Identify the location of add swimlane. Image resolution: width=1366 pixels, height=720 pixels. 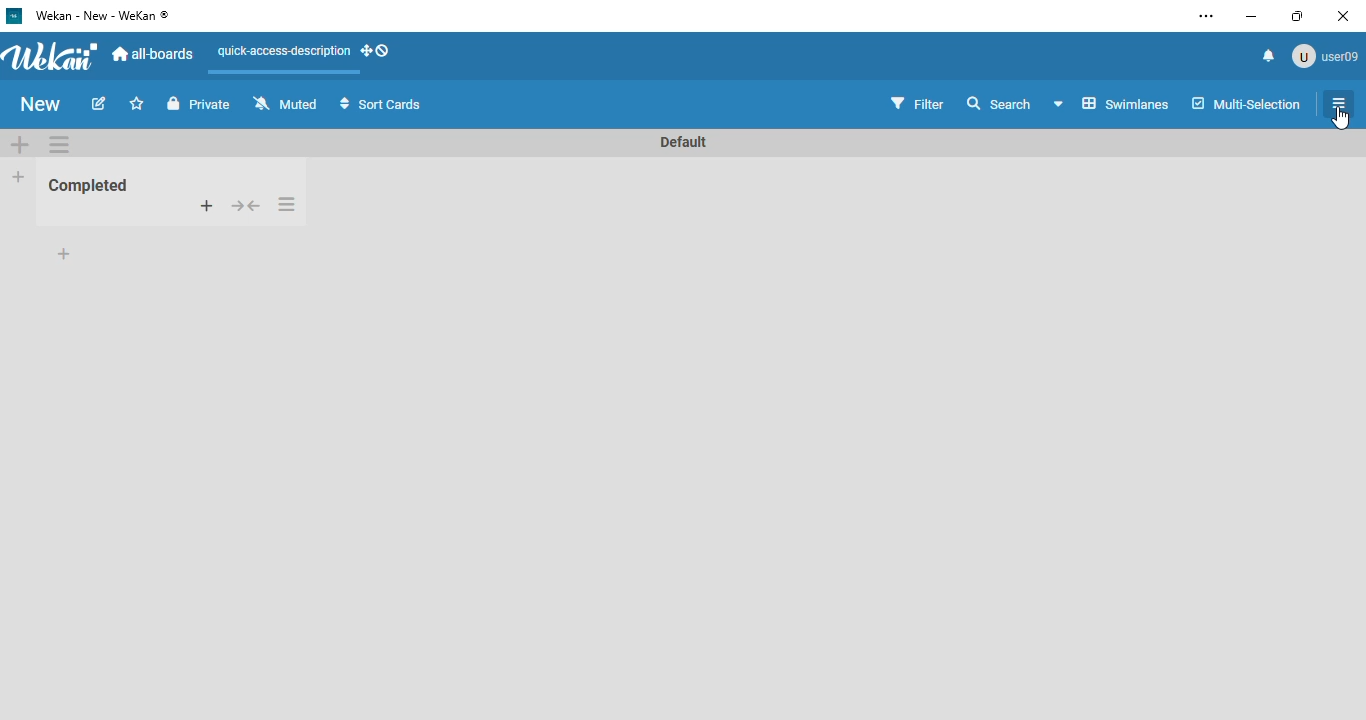
(21, 144).